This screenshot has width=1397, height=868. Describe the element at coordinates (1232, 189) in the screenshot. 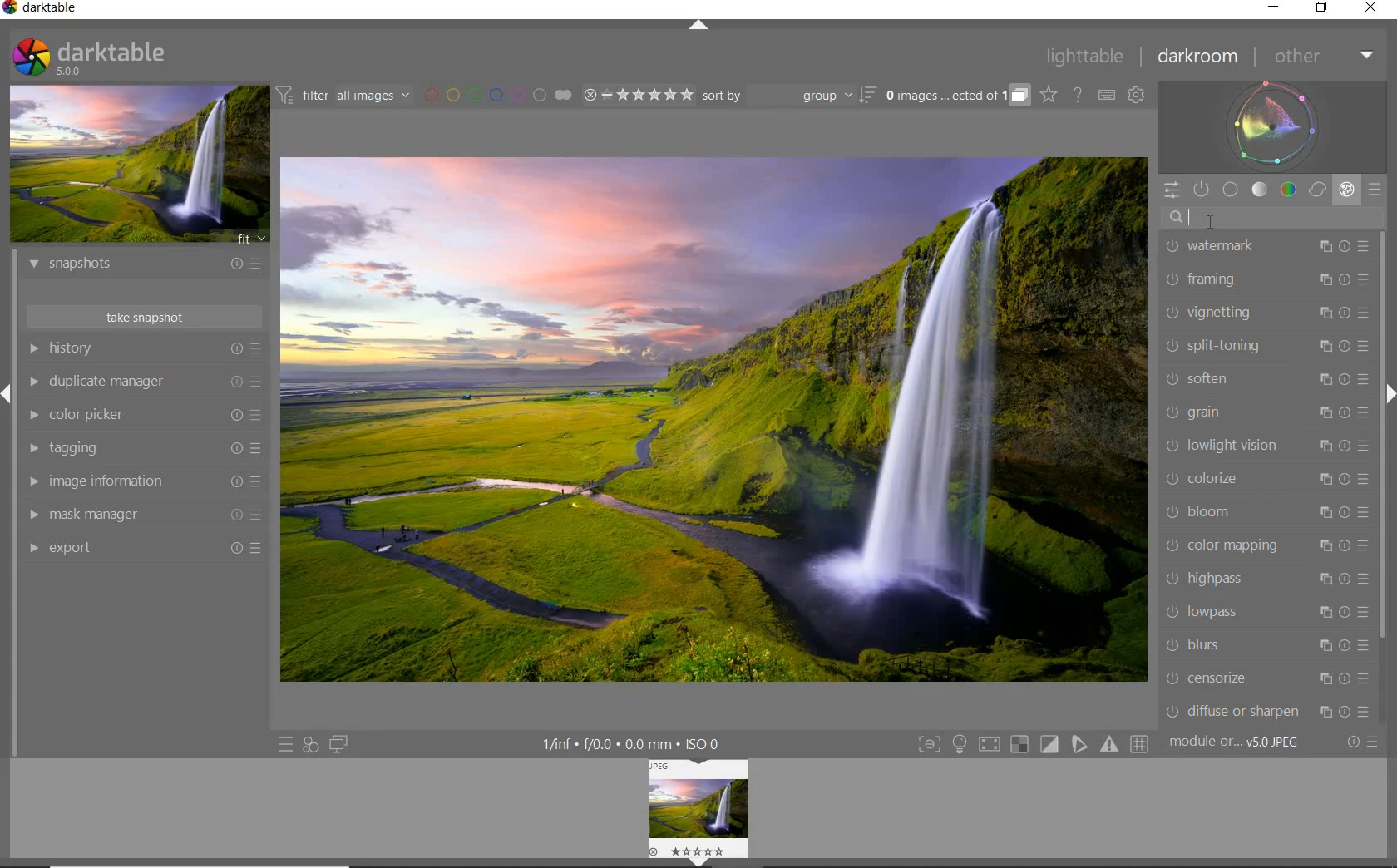

I see `base` at that location.